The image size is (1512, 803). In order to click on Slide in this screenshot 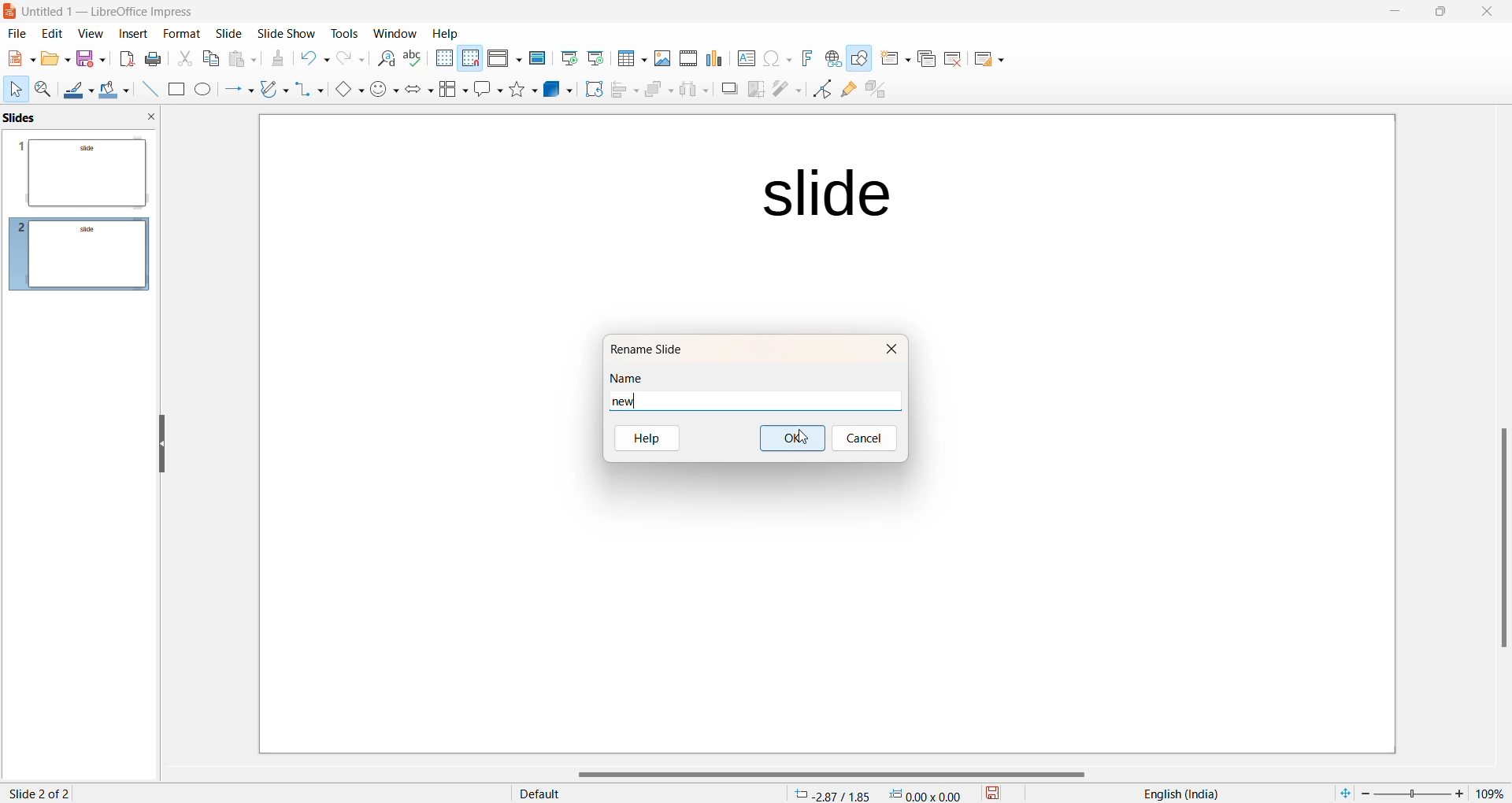, I will do `click(229, 34)`.